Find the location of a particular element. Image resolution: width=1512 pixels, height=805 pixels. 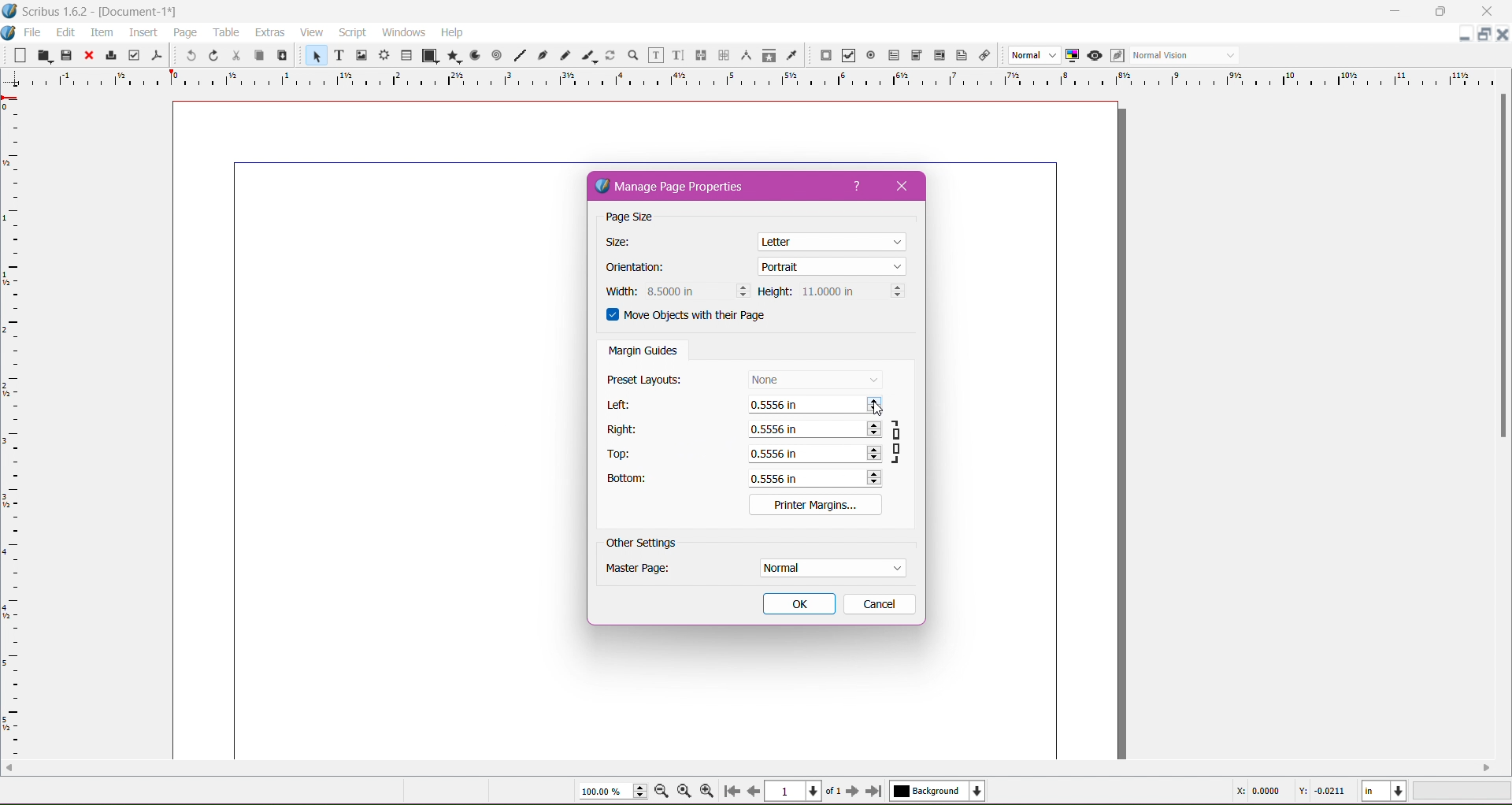

Set Page Orientation is located at coordinates (832, 265).